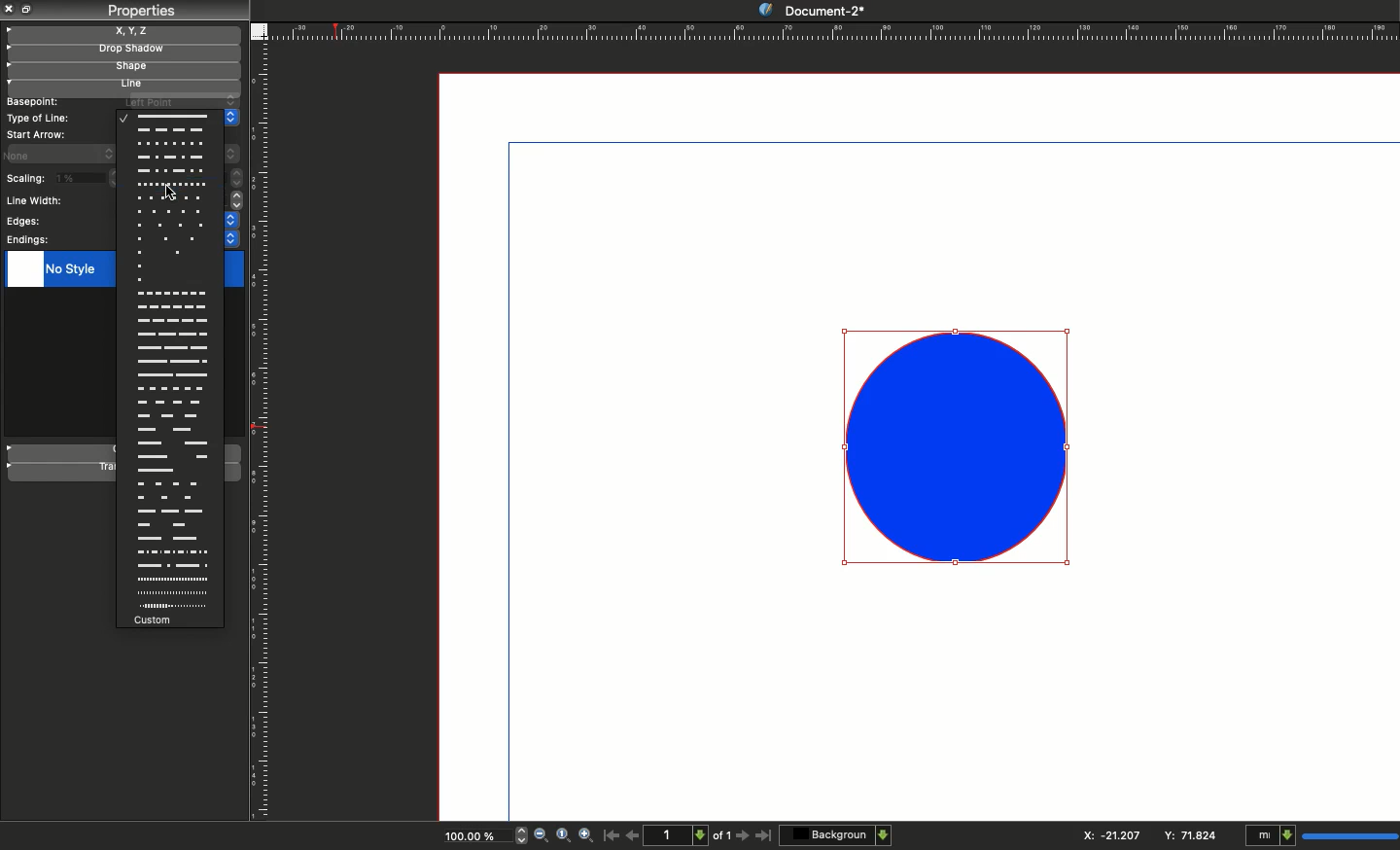  I want to click on line option, so click(171, 334).